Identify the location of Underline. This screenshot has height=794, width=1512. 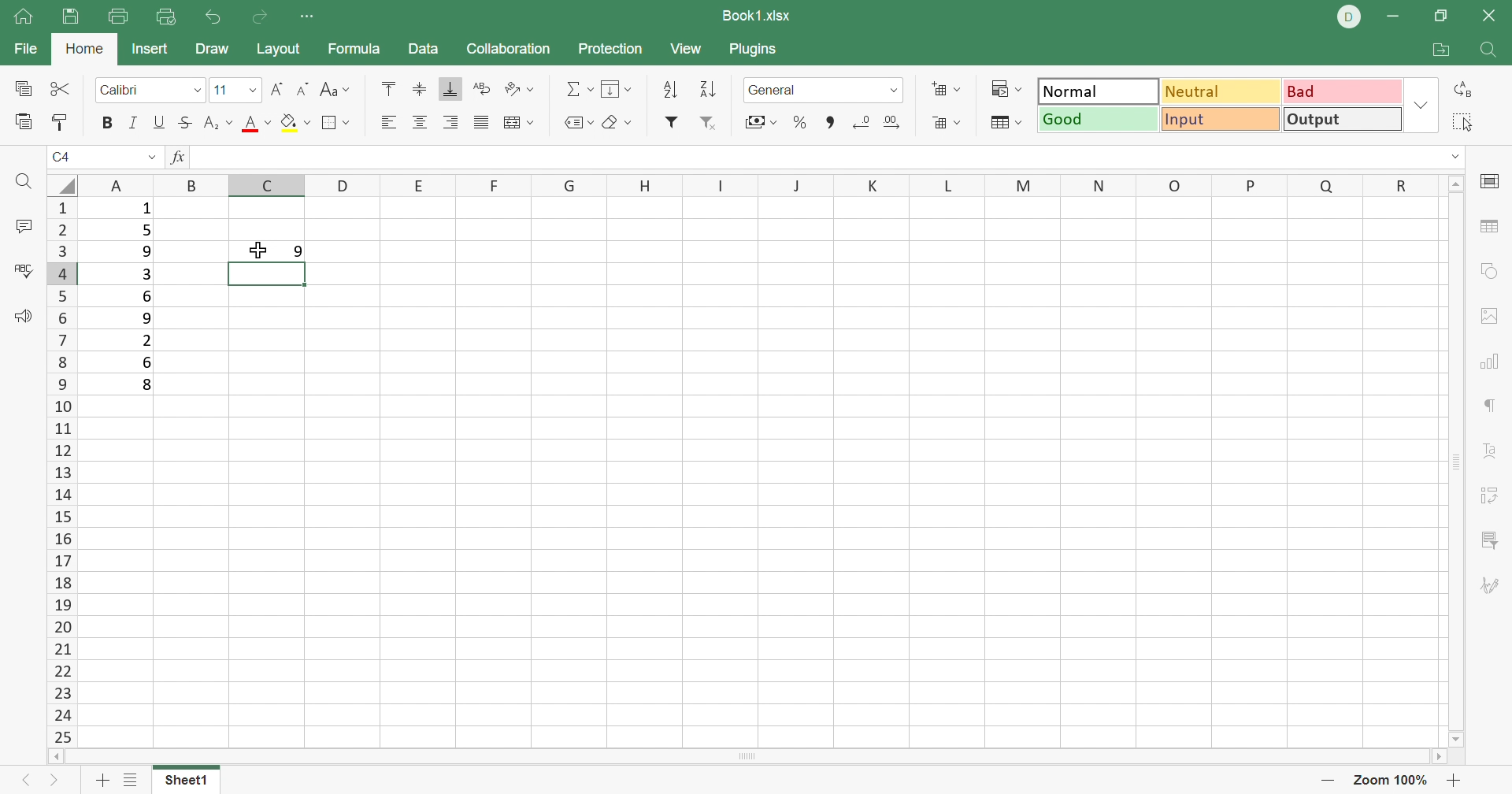
(161, 122).